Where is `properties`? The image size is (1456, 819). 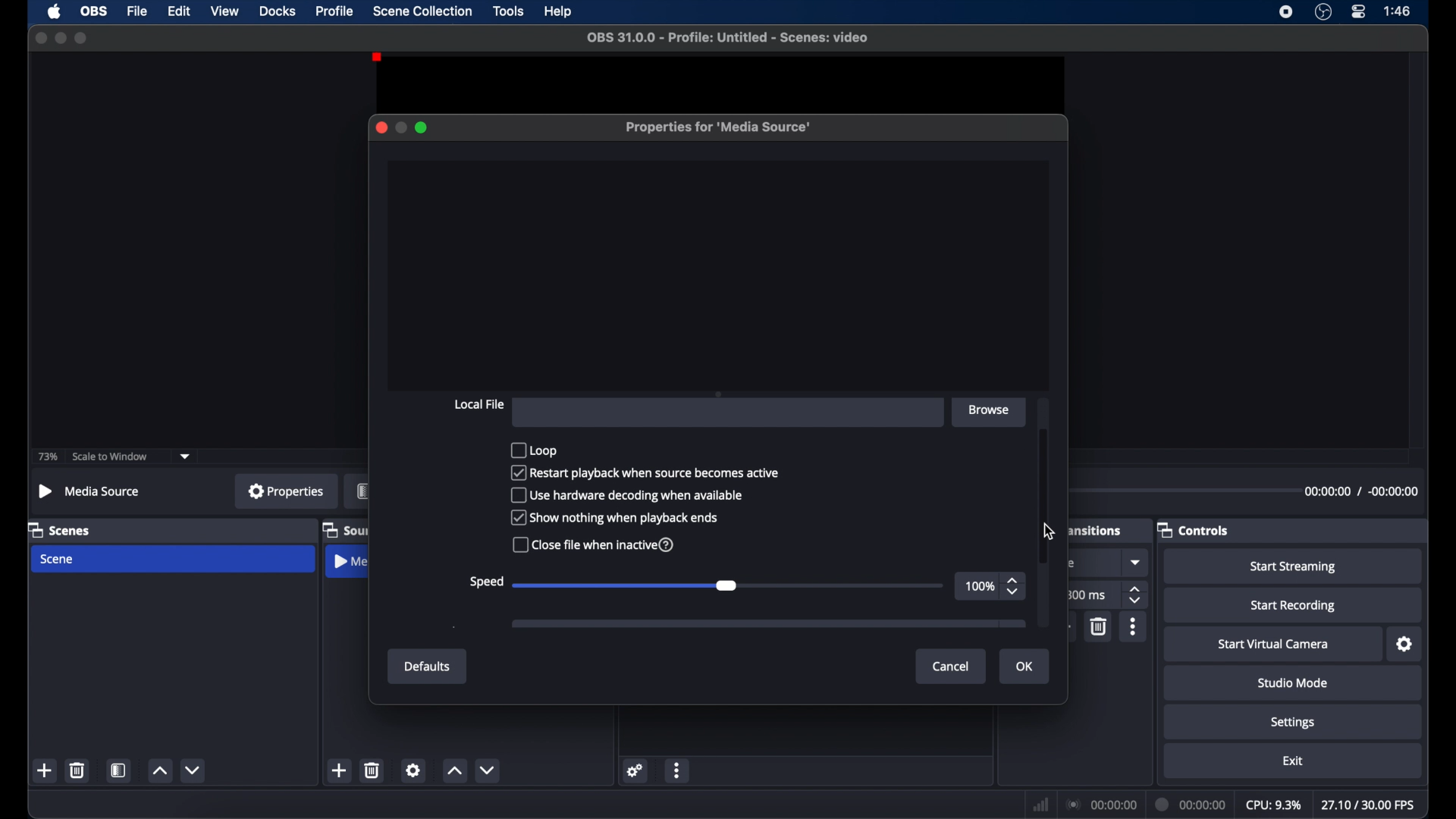
properties is located at coordinates (287, 490).